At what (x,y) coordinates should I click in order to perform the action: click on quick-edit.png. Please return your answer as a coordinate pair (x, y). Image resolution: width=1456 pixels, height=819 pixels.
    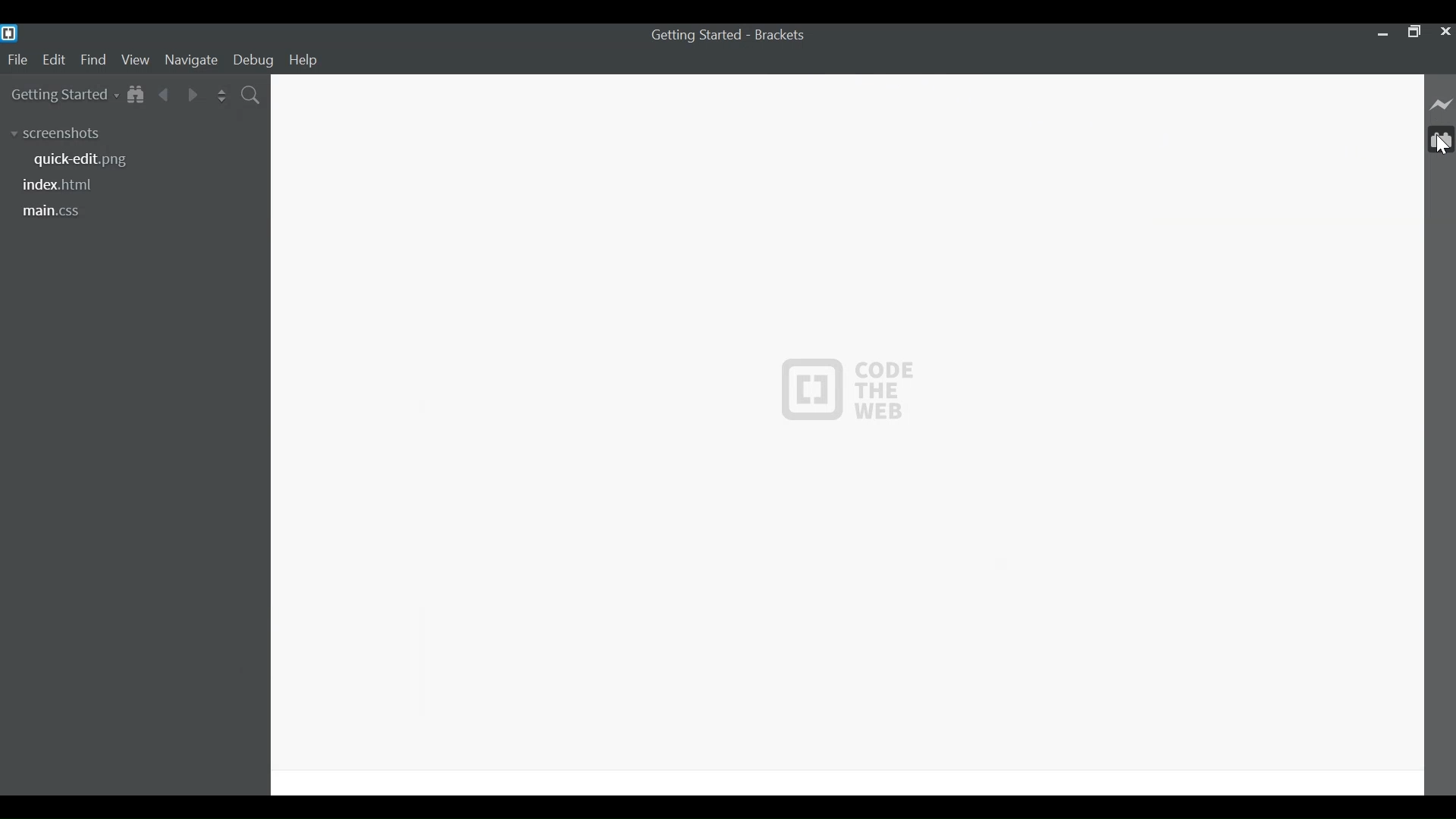
    Looking at the image, I should click on (87, 159).